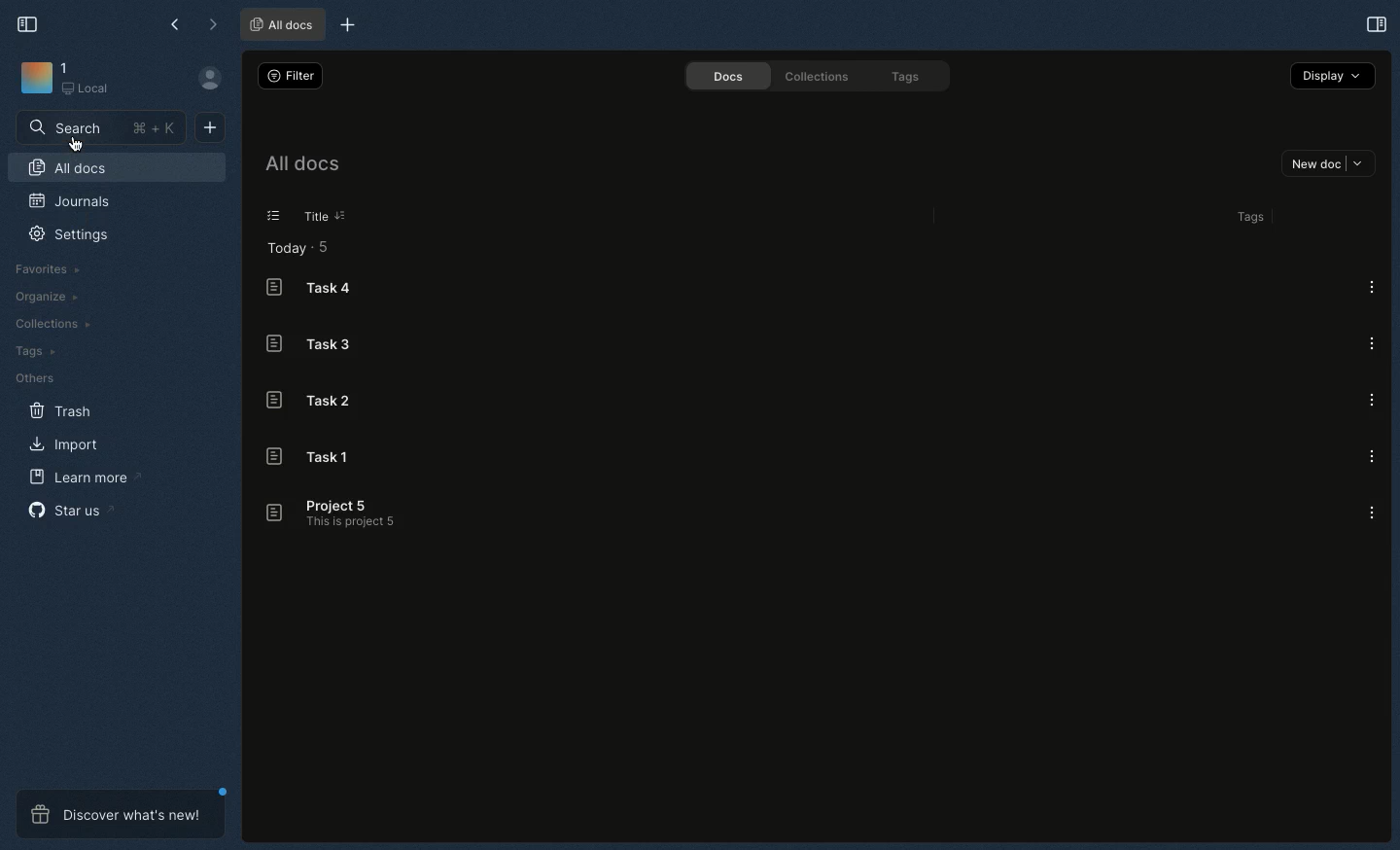  I want to click on Learn more, so click(78, 475).